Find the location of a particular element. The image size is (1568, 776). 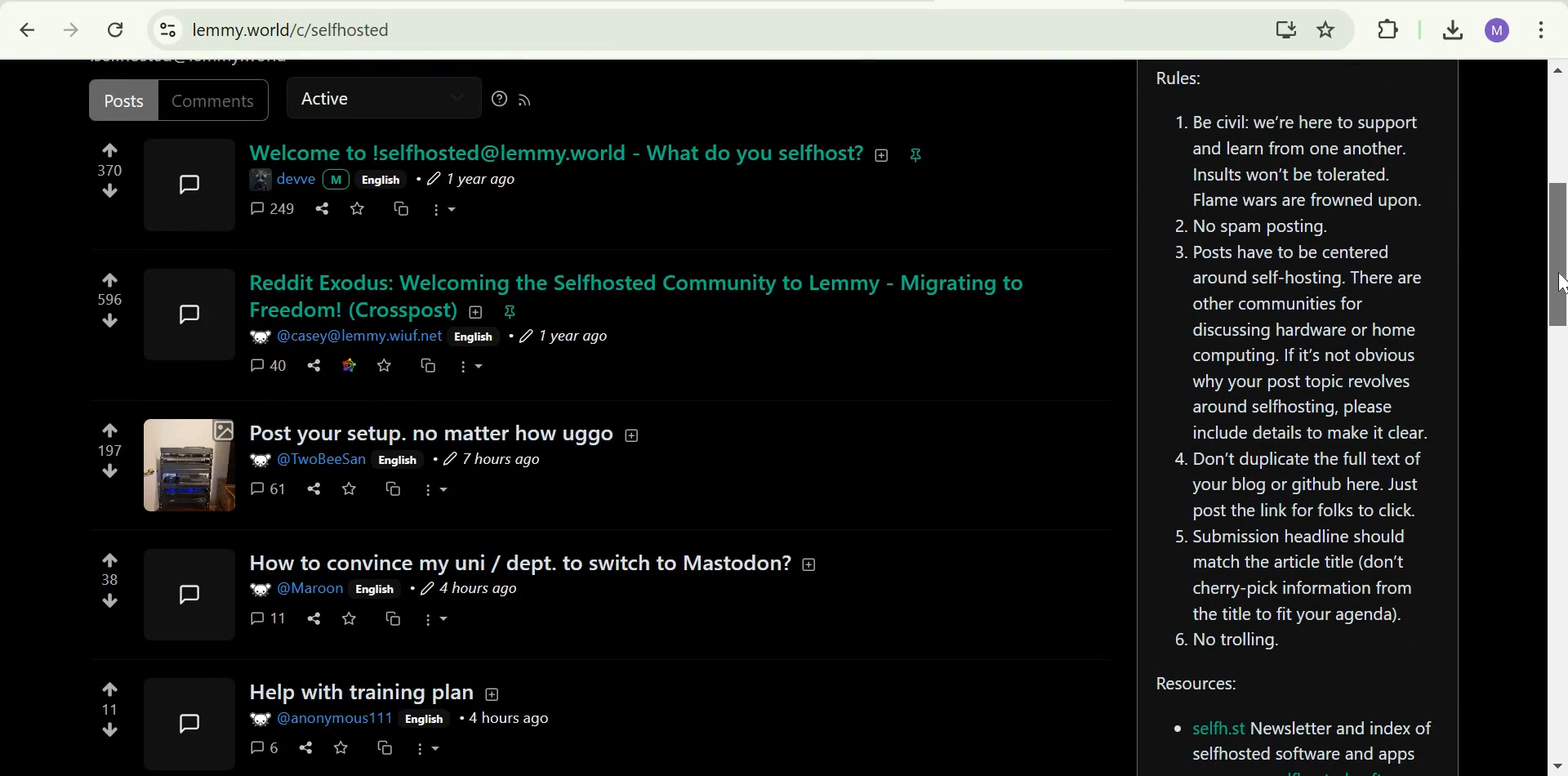

4 hours ago is located at coordinates (463, 588).